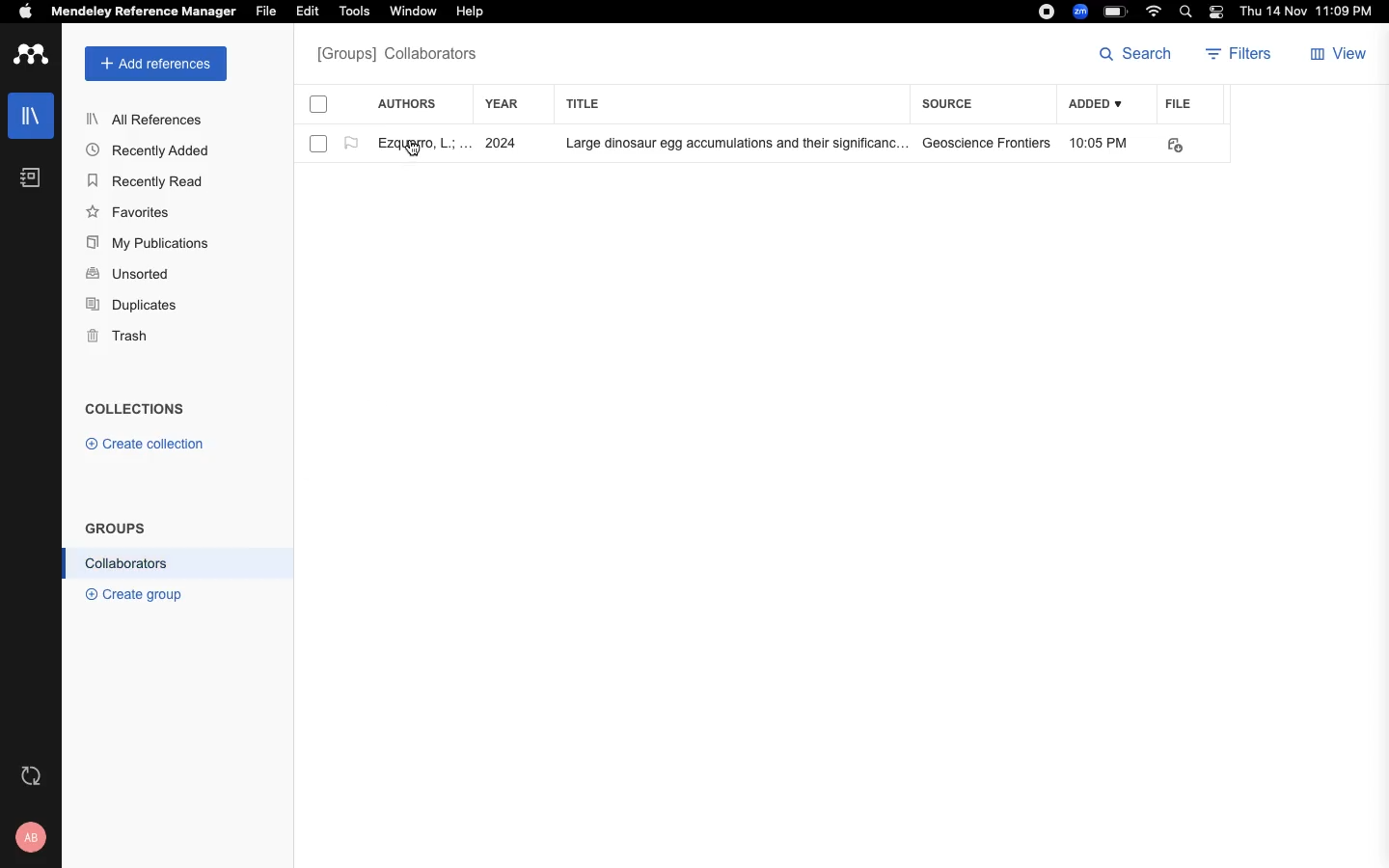  What do you see at coordinates (1098, 104) in the screenshot?
I see `ADDED ` at bounding box center [1098, 104].